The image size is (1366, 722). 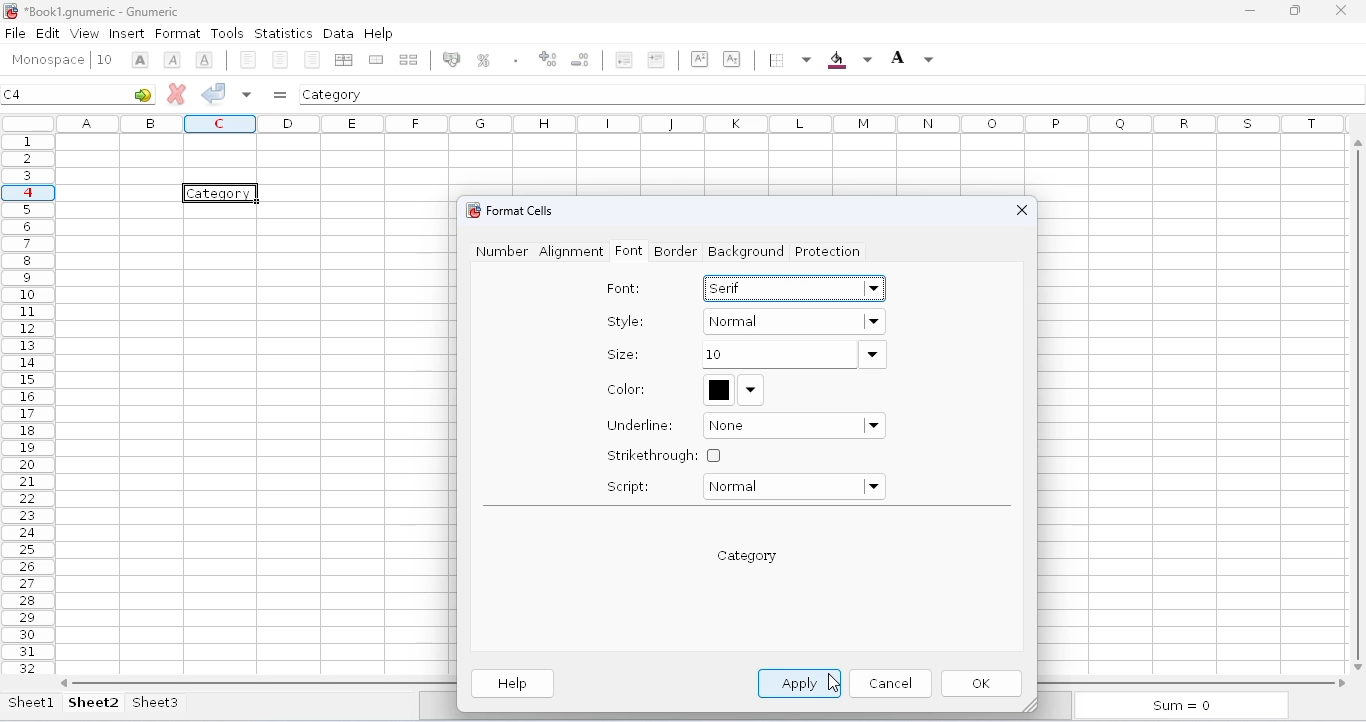 I want to click on statistics, so click(x=283, y=34).